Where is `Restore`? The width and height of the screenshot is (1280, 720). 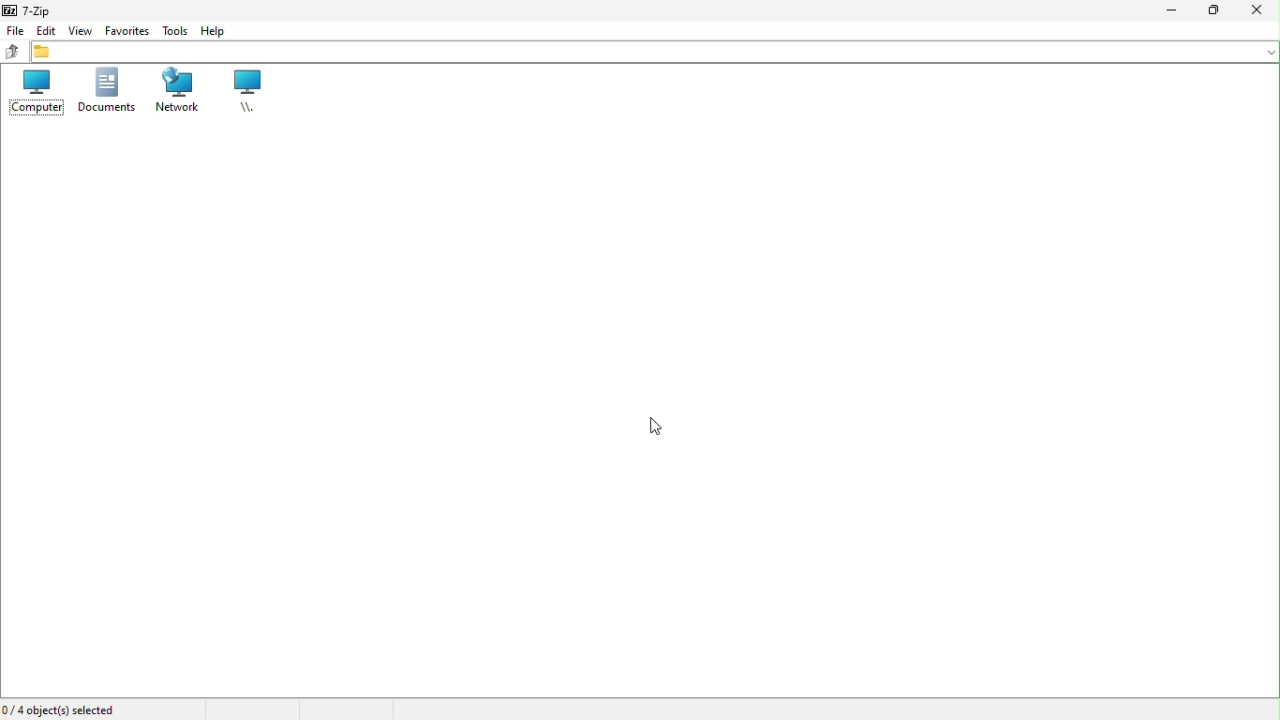
Restore is located at coordinates (1215, 12).